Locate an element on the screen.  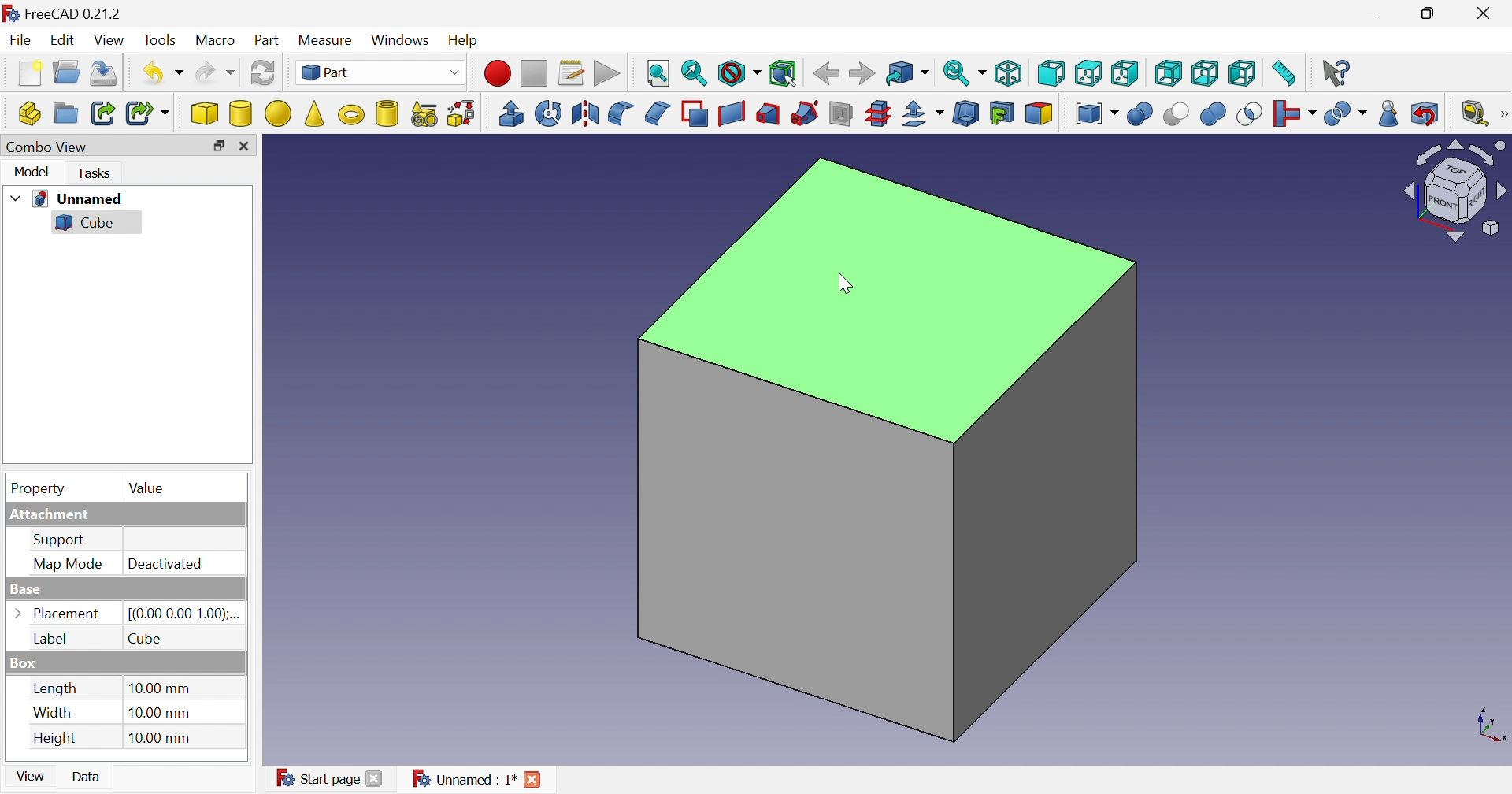
Close is located at coordinates (373, 781).